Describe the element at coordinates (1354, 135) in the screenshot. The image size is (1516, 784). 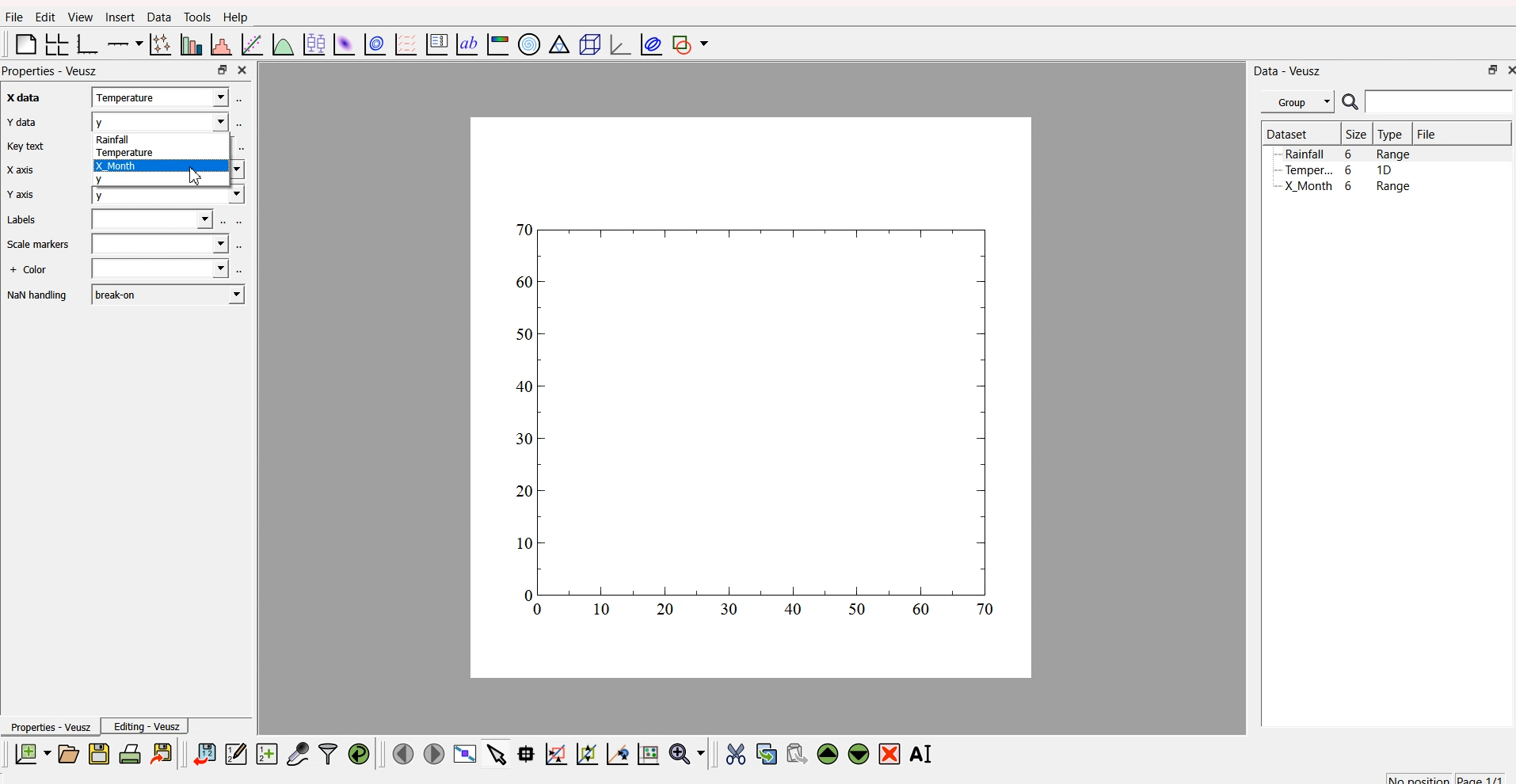
I see `| Size` at that location.